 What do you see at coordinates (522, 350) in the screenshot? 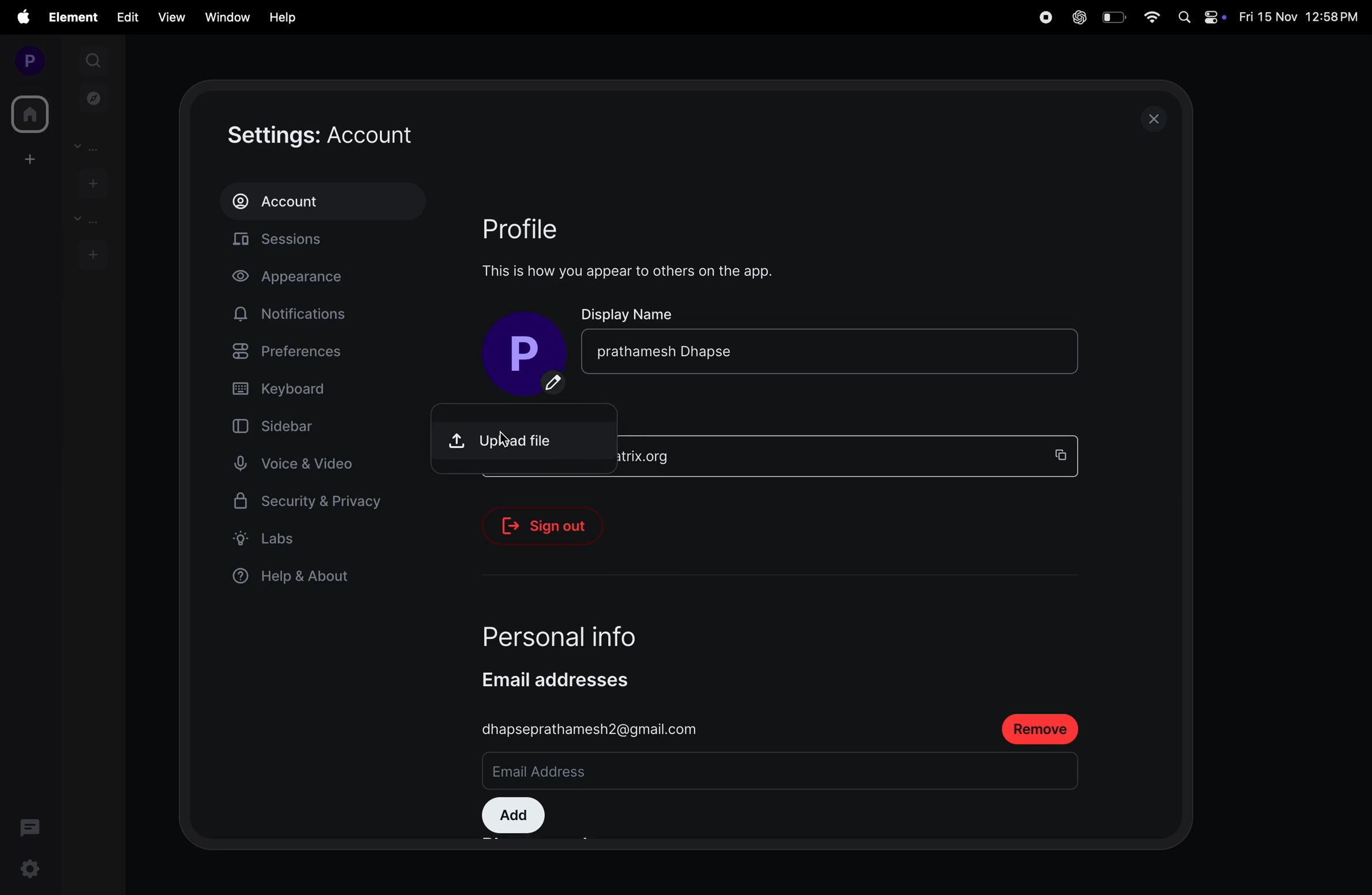
I see `profile name` at bounding box center [522, 350].